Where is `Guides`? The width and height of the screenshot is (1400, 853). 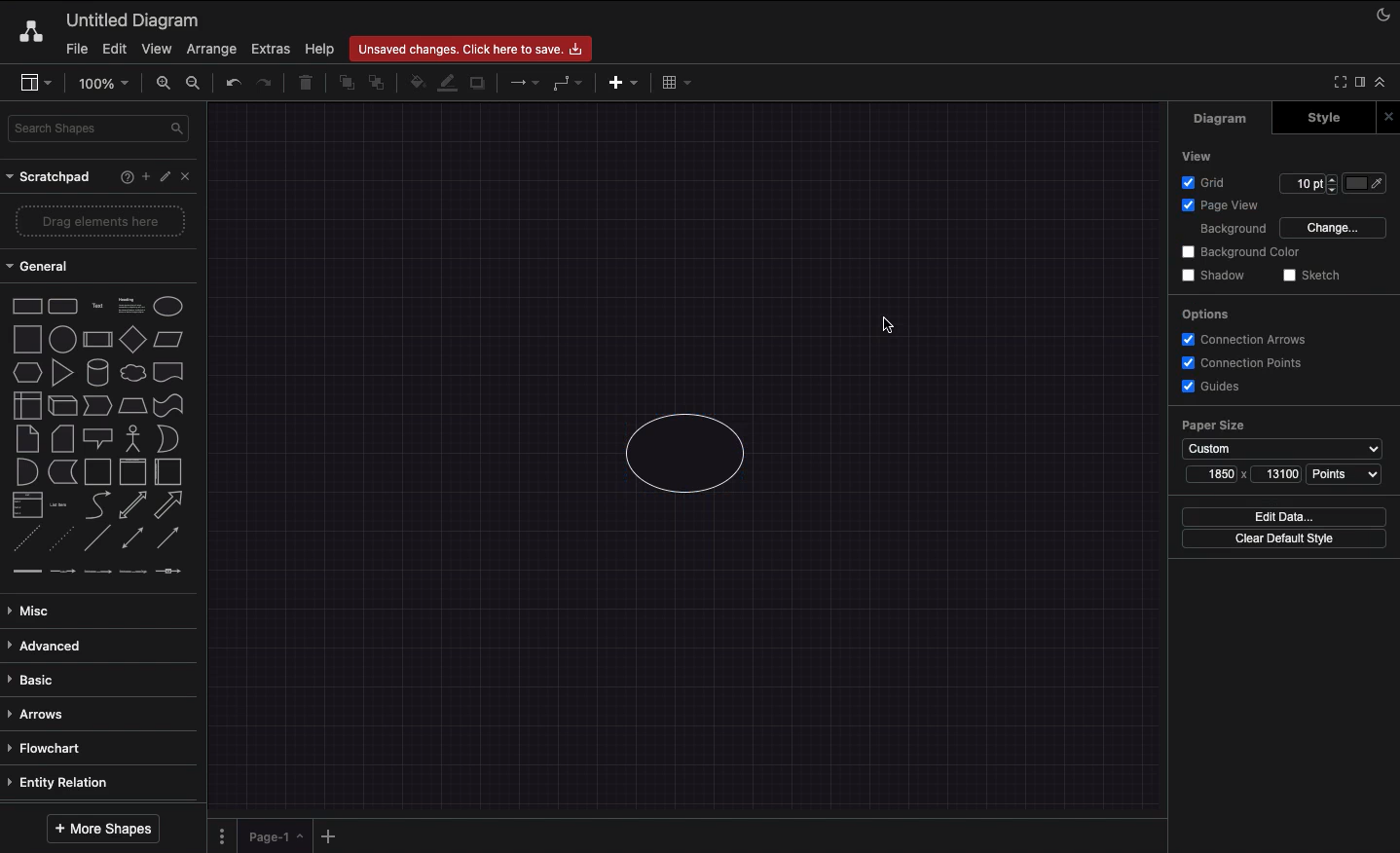
Guides is located at coordinates (1214, 388).